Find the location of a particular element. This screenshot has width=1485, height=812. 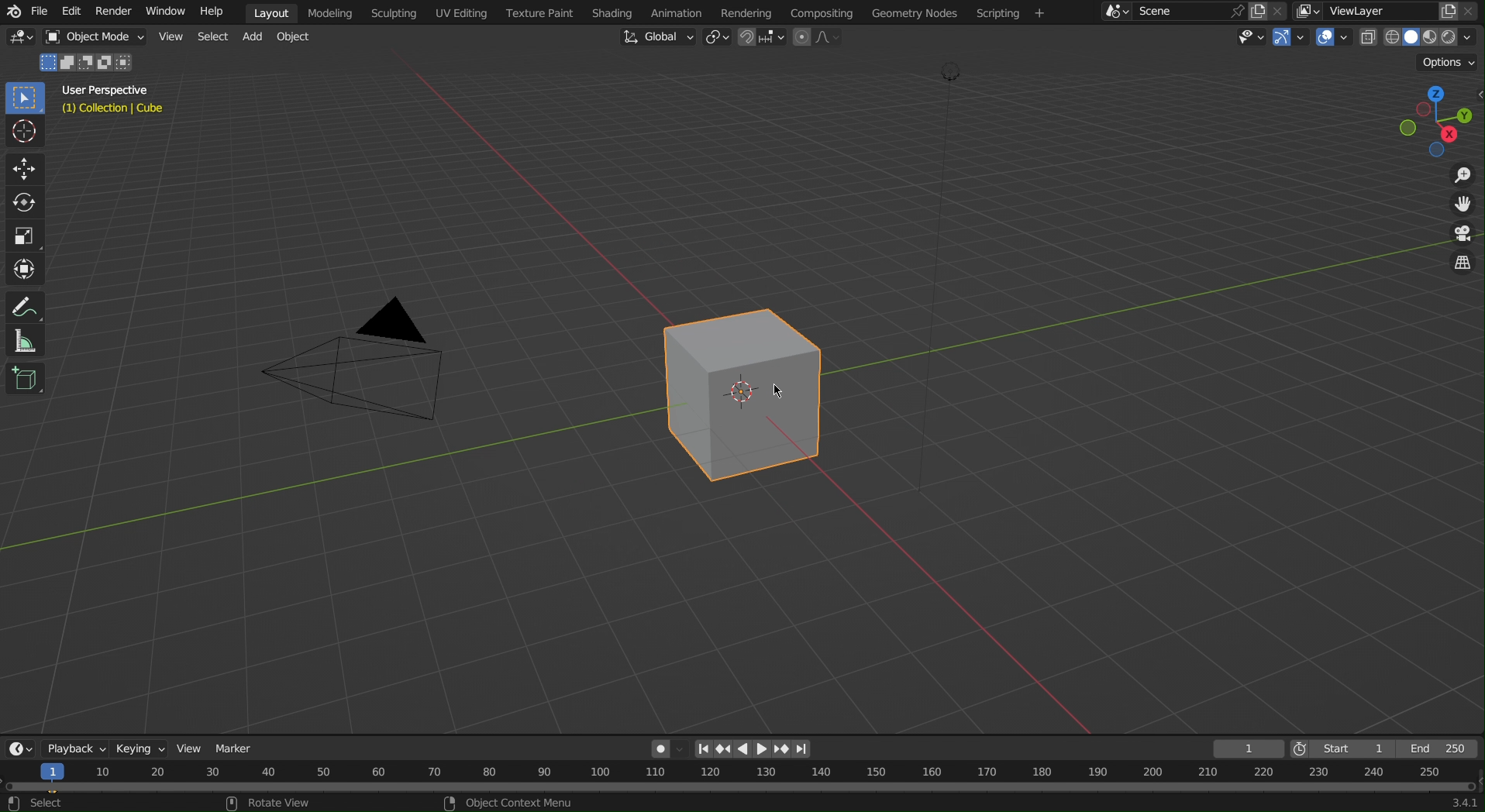

Render is located at coordinates (115, 12).